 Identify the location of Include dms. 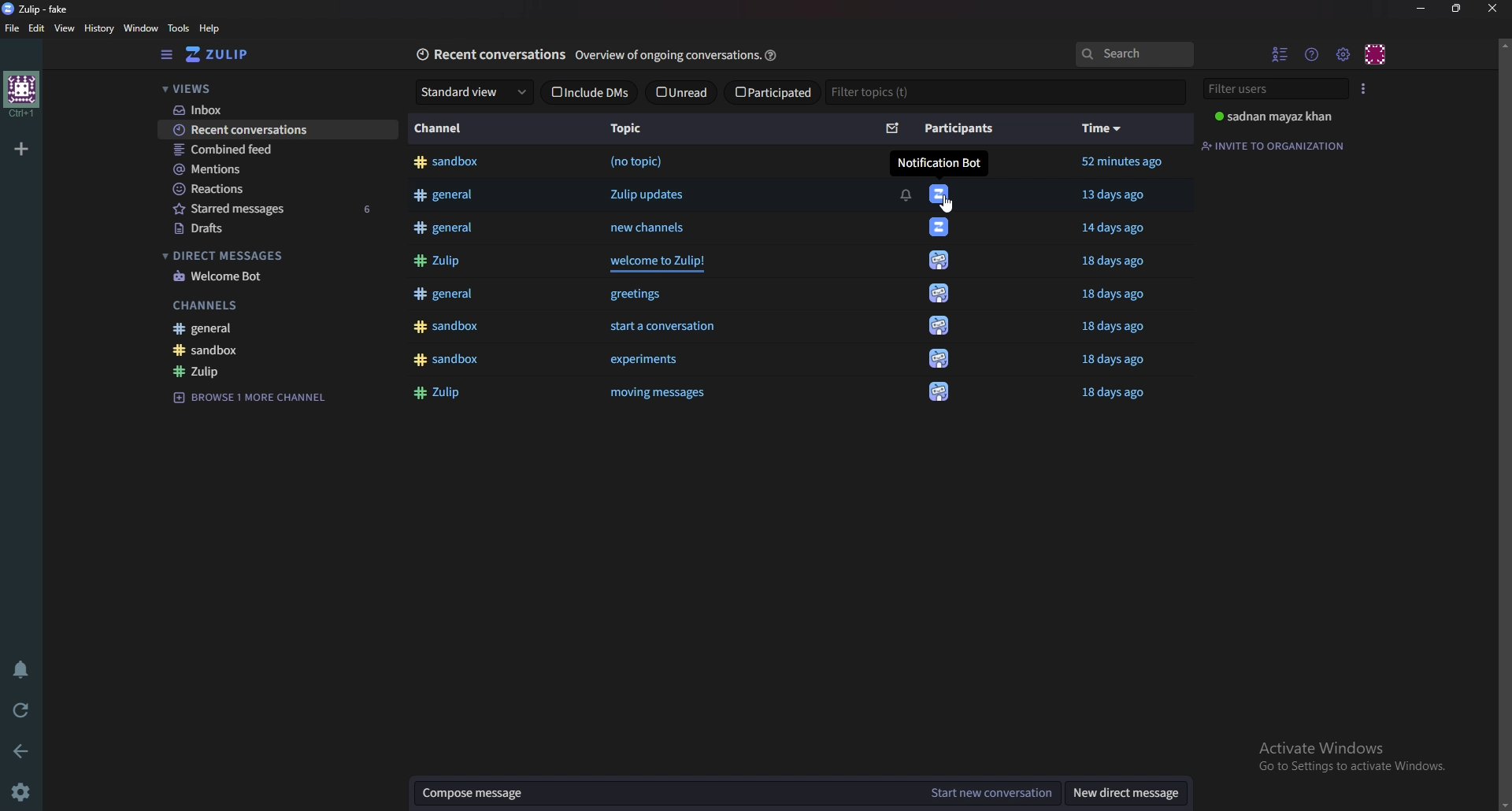
(588, 92).